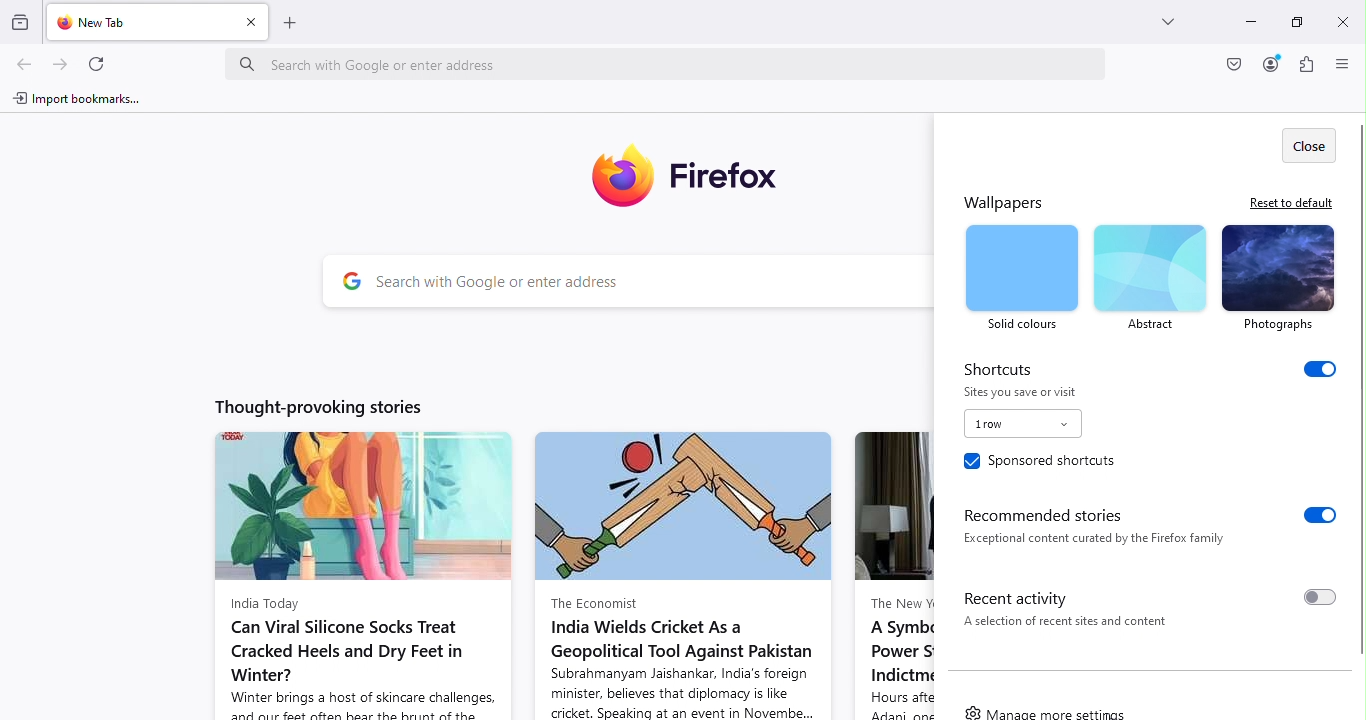 Image resolution: width=1366 pixels, height=720 pixels. What do you see at coordinates (22, 65) in the screenshot?
I see `Go back one page` at bounding box center [22, 65].